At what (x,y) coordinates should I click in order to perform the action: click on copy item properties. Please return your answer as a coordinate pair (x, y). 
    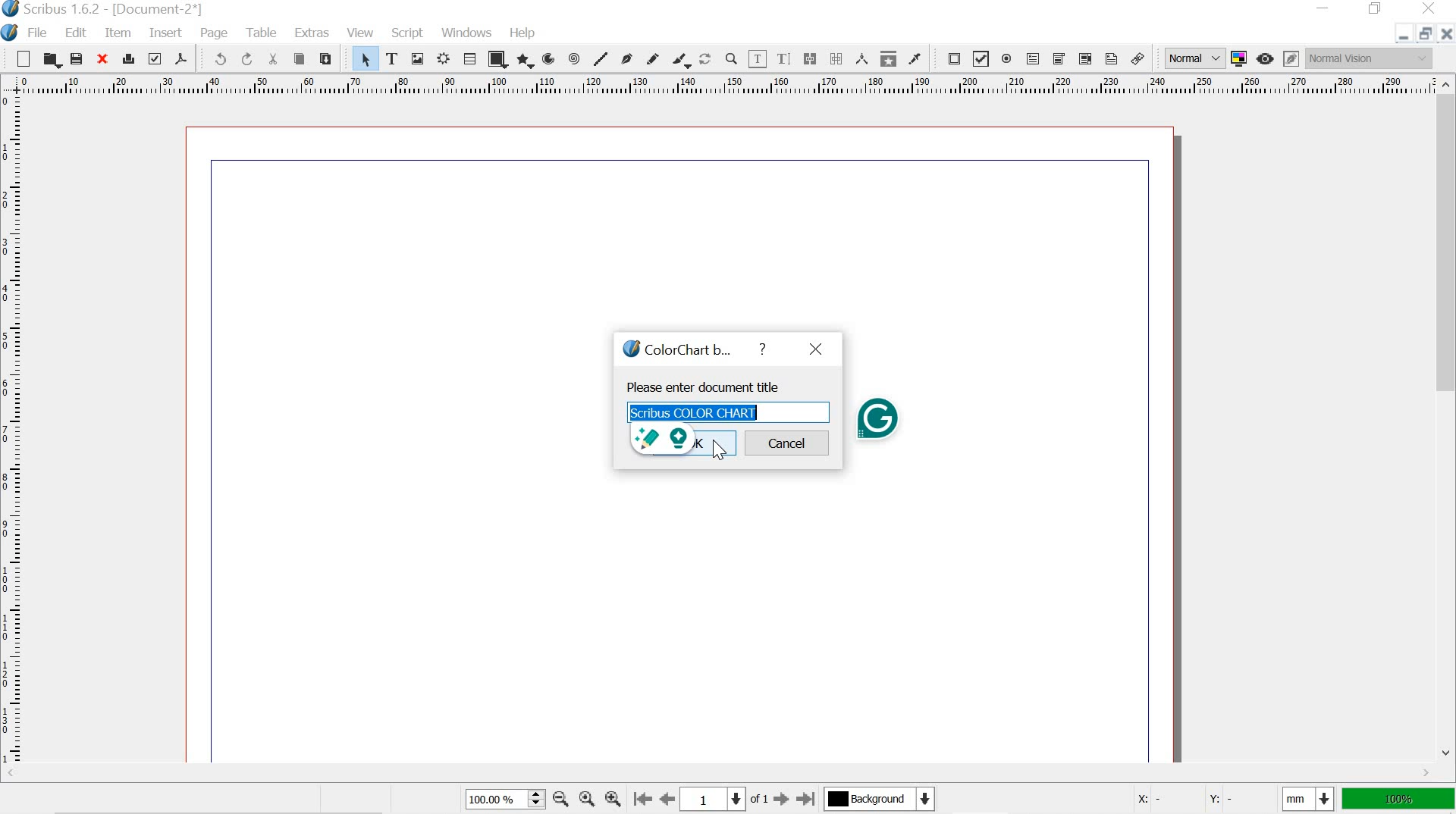
    Looking at the image, I should click on (889, 60).